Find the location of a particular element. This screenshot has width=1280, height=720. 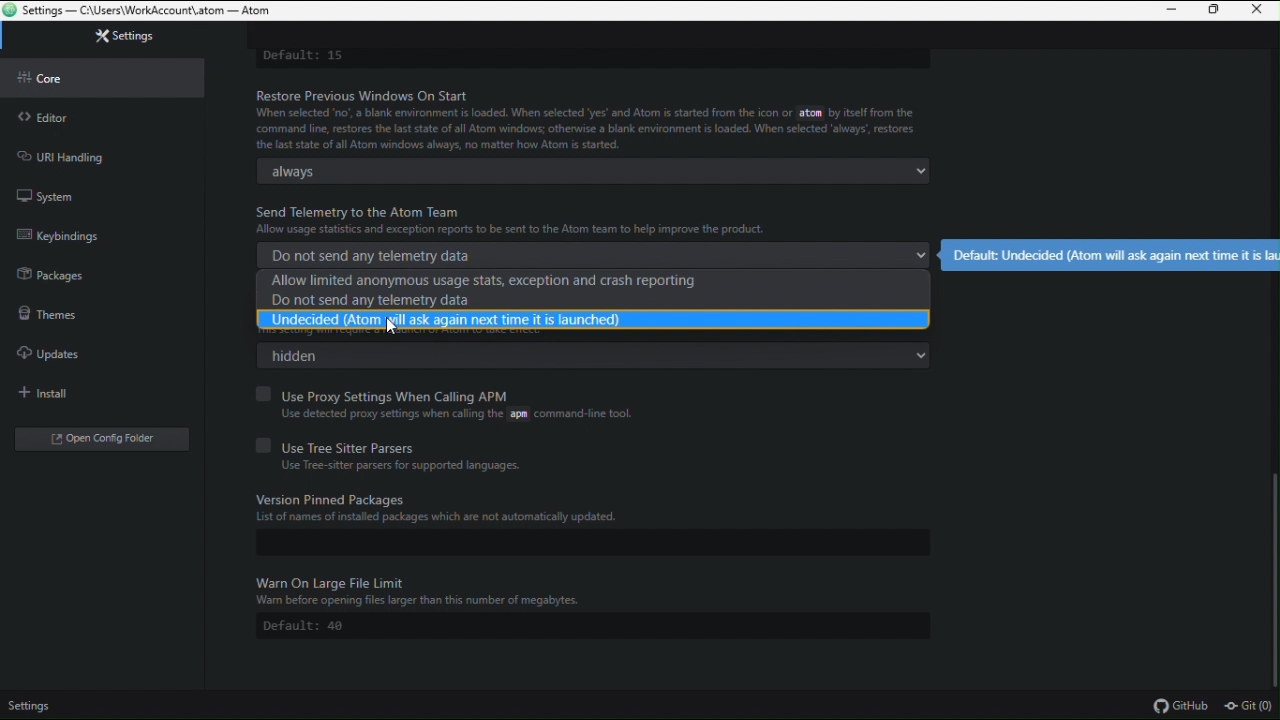

updates is located at coordinates (86, 349).